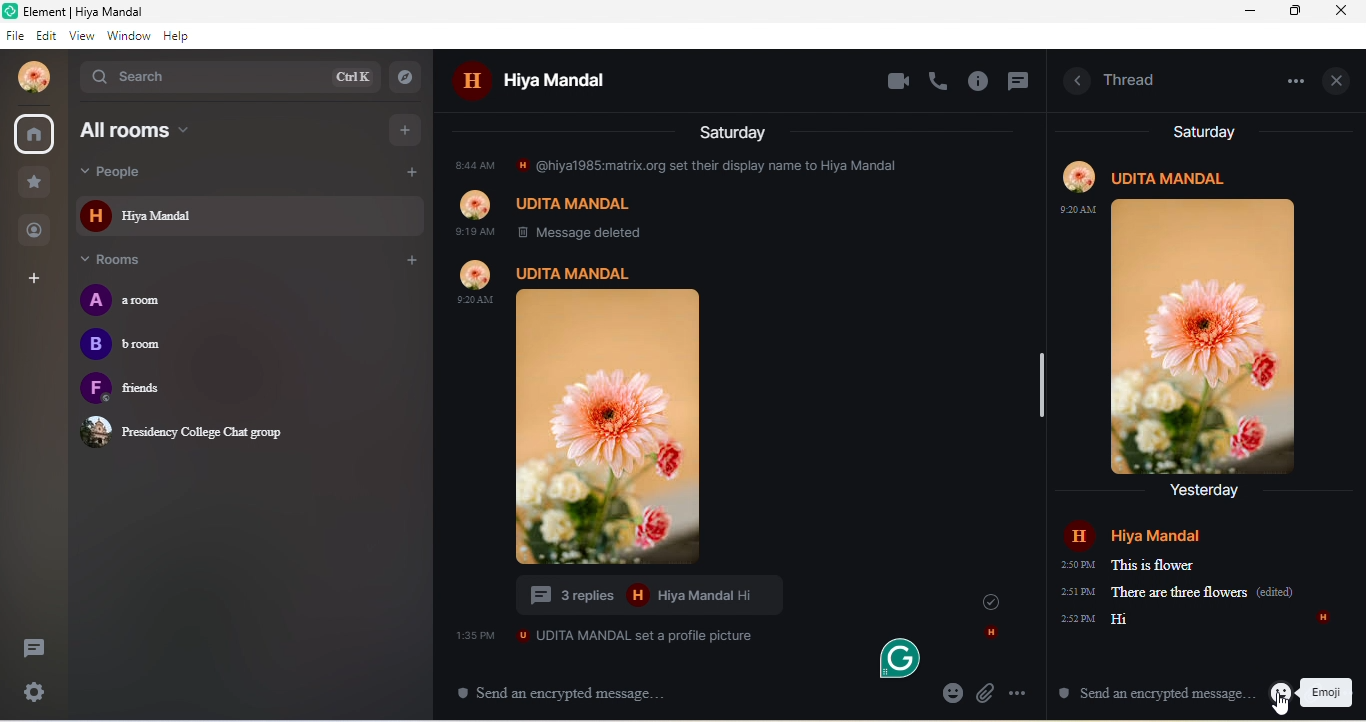  What do you see at coordinates (113, 172) in the screenshot?
I see `People` at bounding box center [113, 172].